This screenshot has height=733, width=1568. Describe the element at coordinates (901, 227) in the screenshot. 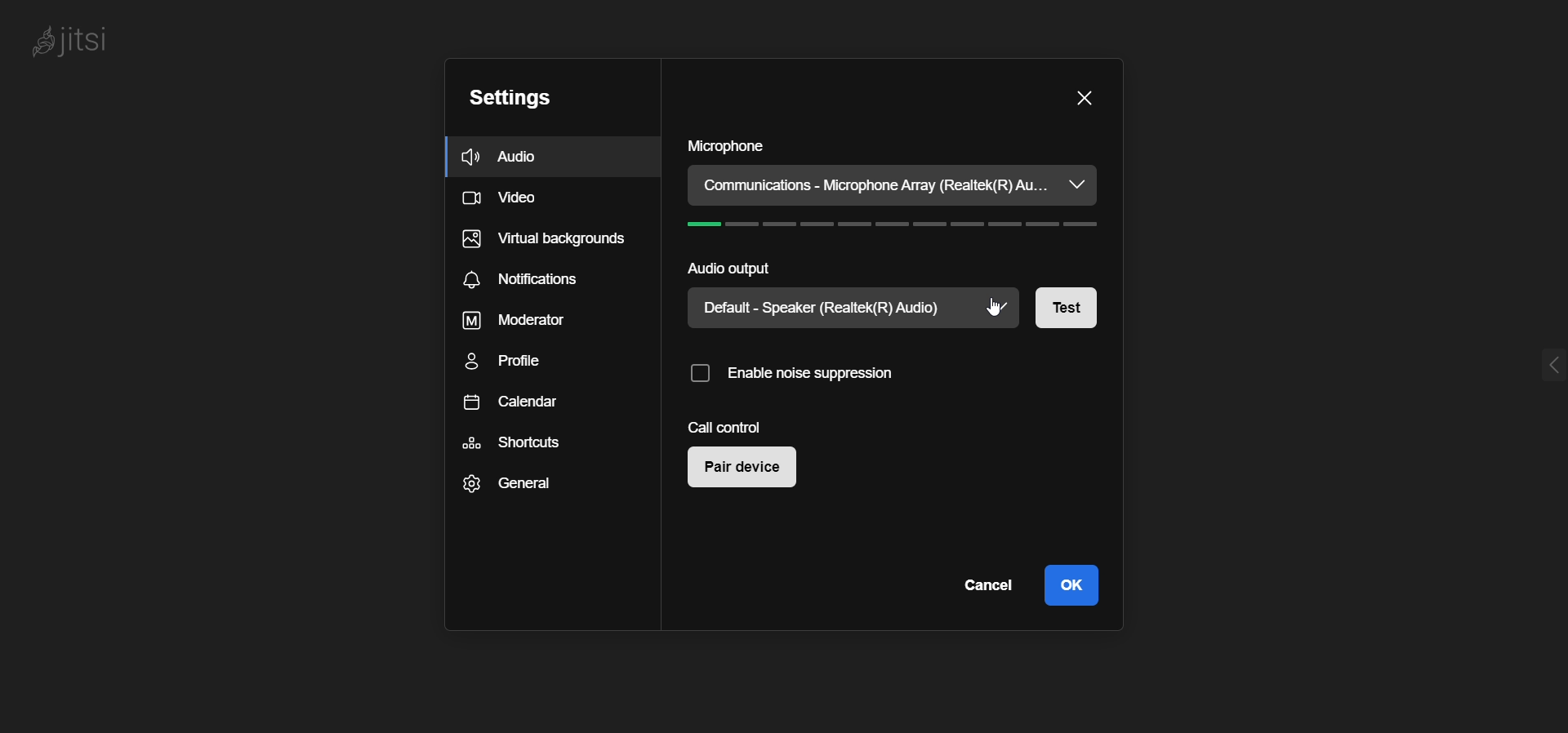

I see `volume` at that location.